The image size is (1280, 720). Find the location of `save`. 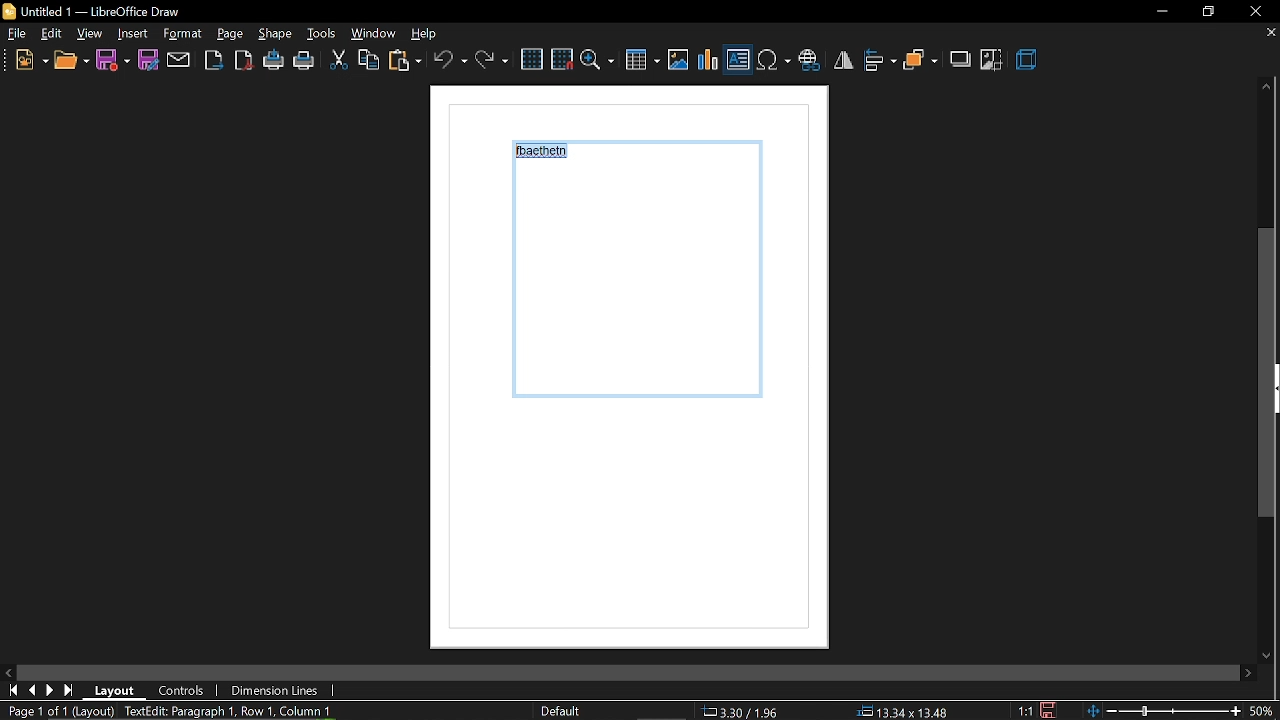

save is located at coordinates (114, 61).